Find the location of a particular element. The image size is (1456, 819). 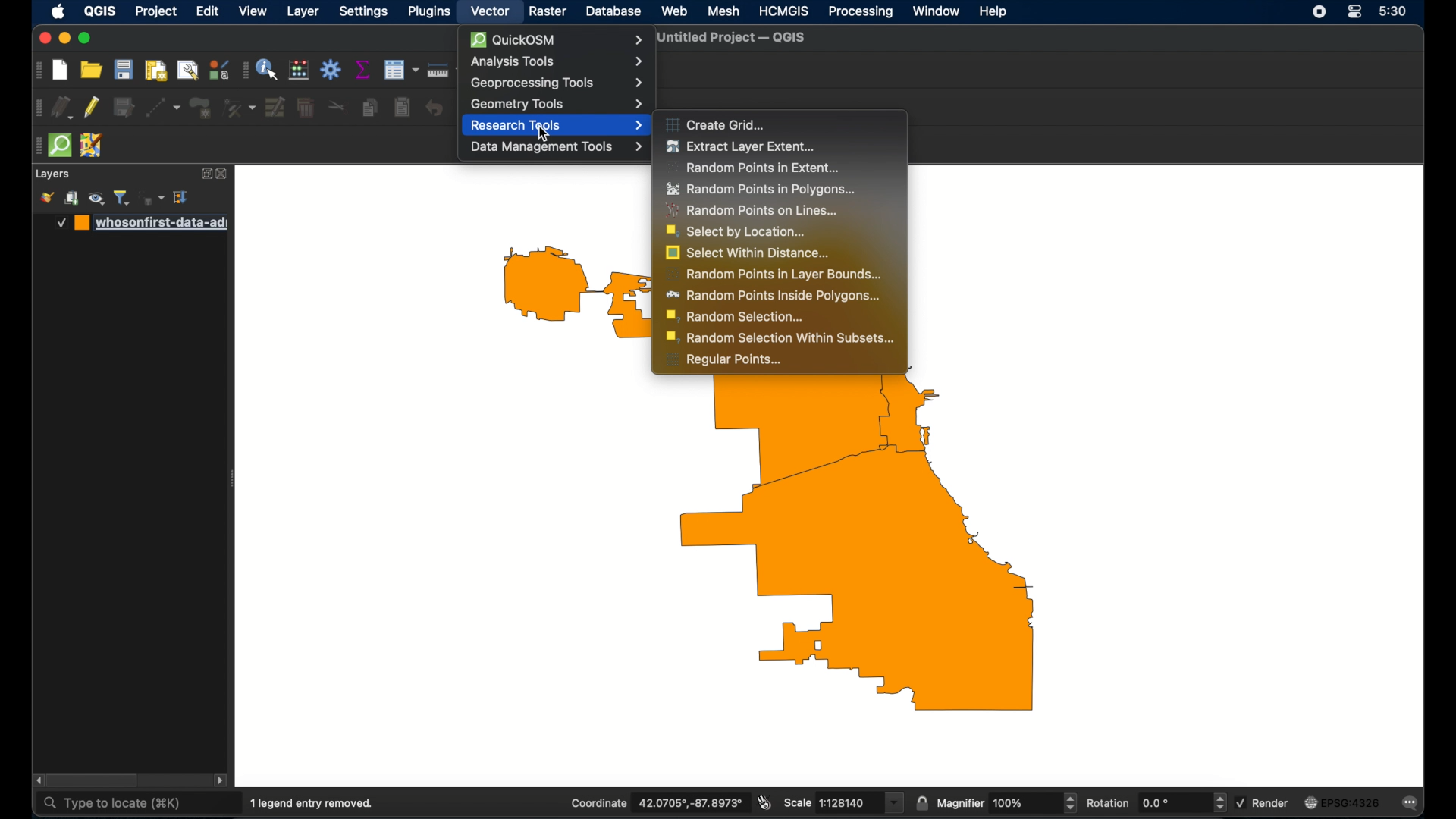

drag handle is located at coordinates (37, 70).